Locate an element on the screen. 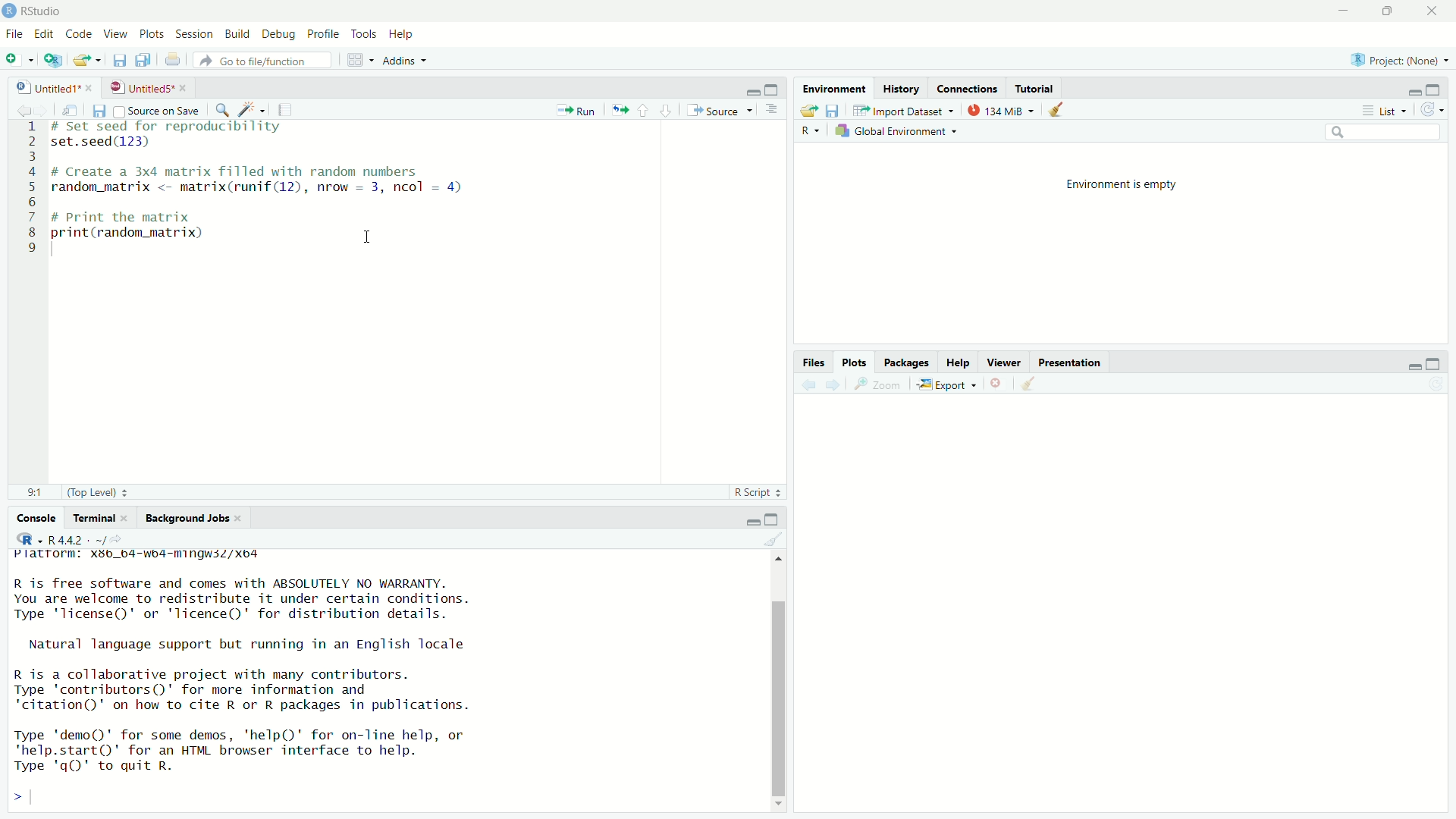 This screenshot has width=1456, height=819. maximise is located at coordinates (1437, 89).